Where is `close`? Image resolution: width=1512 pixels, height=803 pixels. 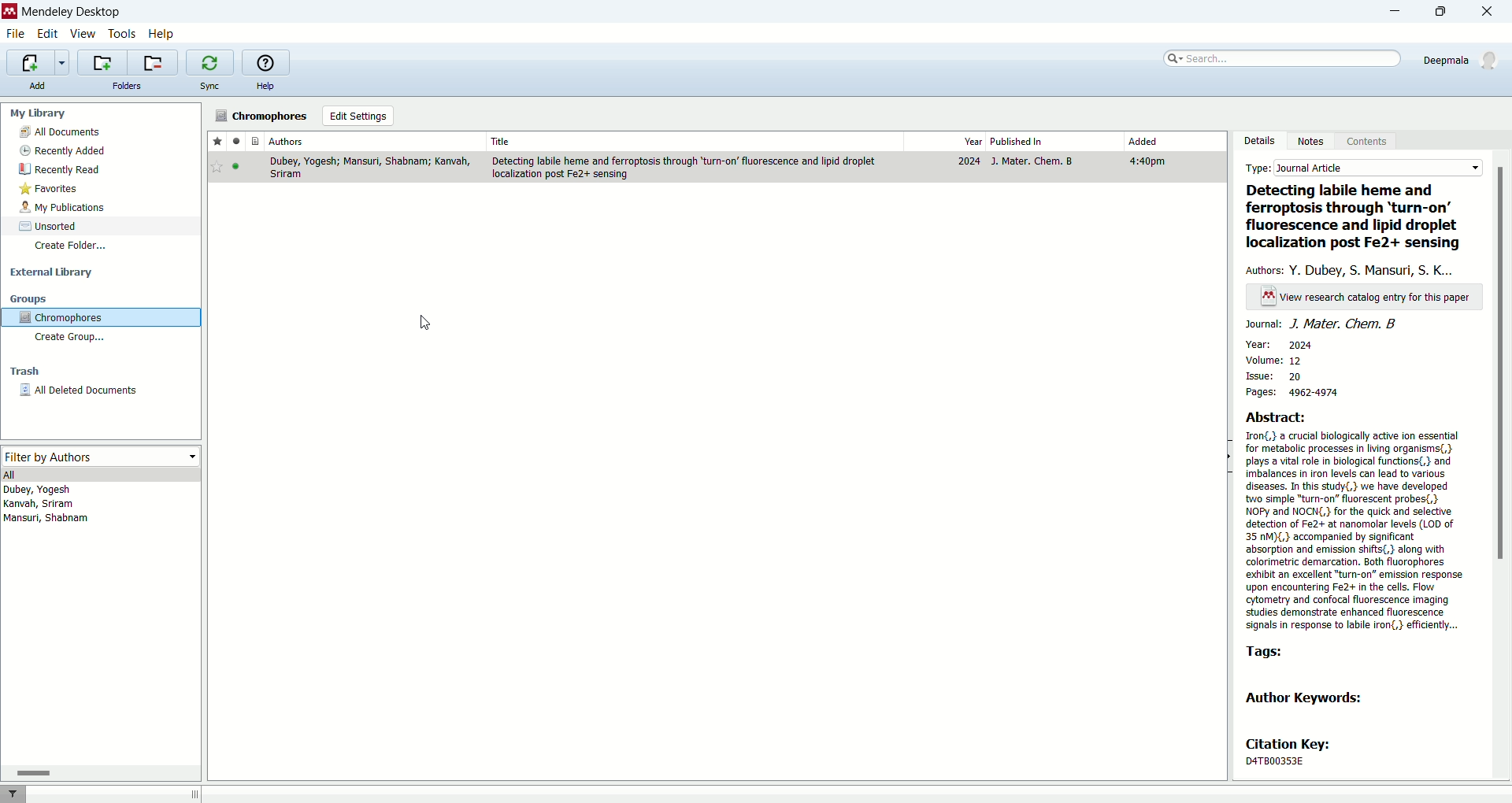
close is located at coordinates (1491, 11).